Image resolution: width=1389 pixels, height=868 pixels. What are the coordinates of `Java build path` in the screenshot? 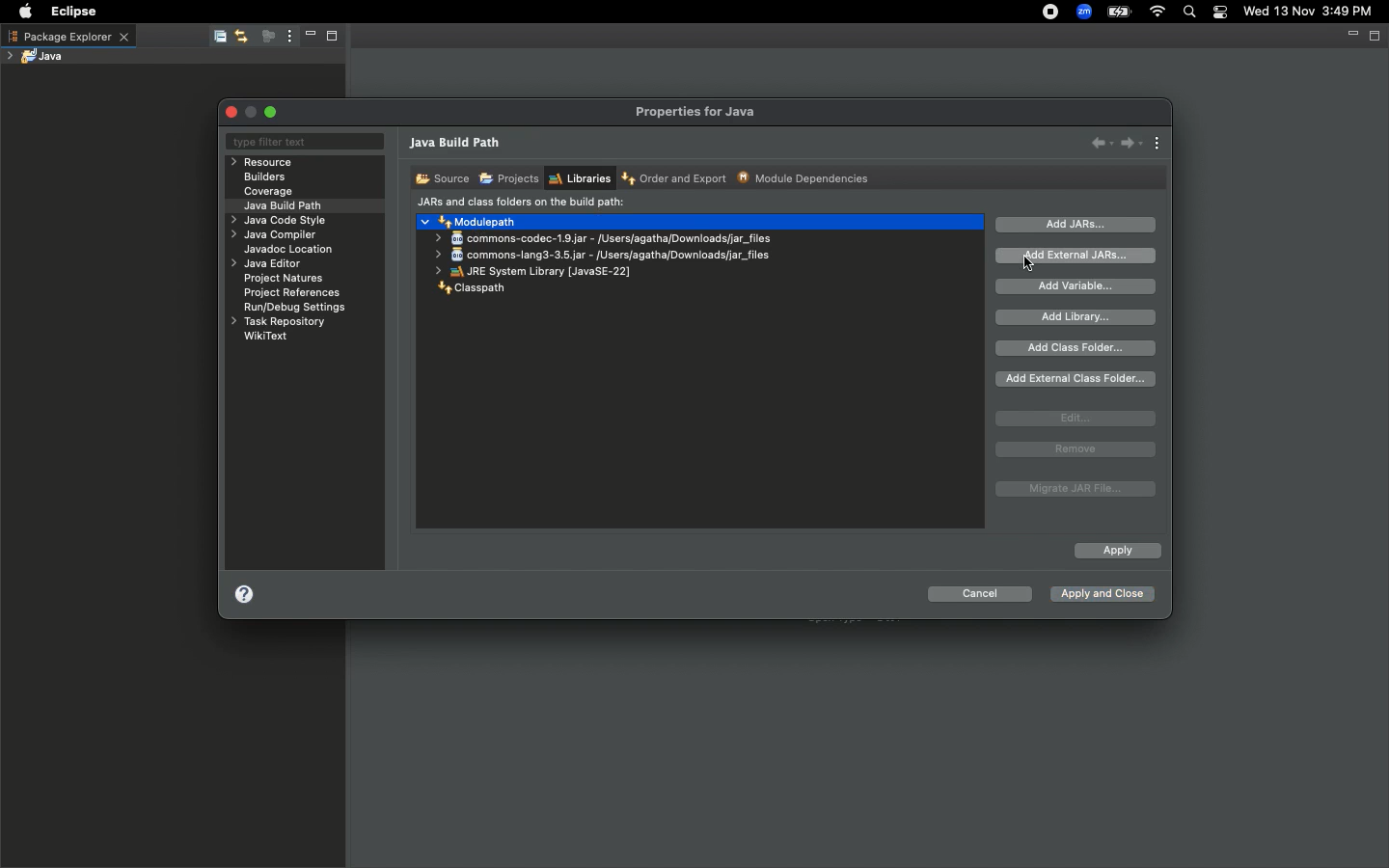 It's located at (287, 204).